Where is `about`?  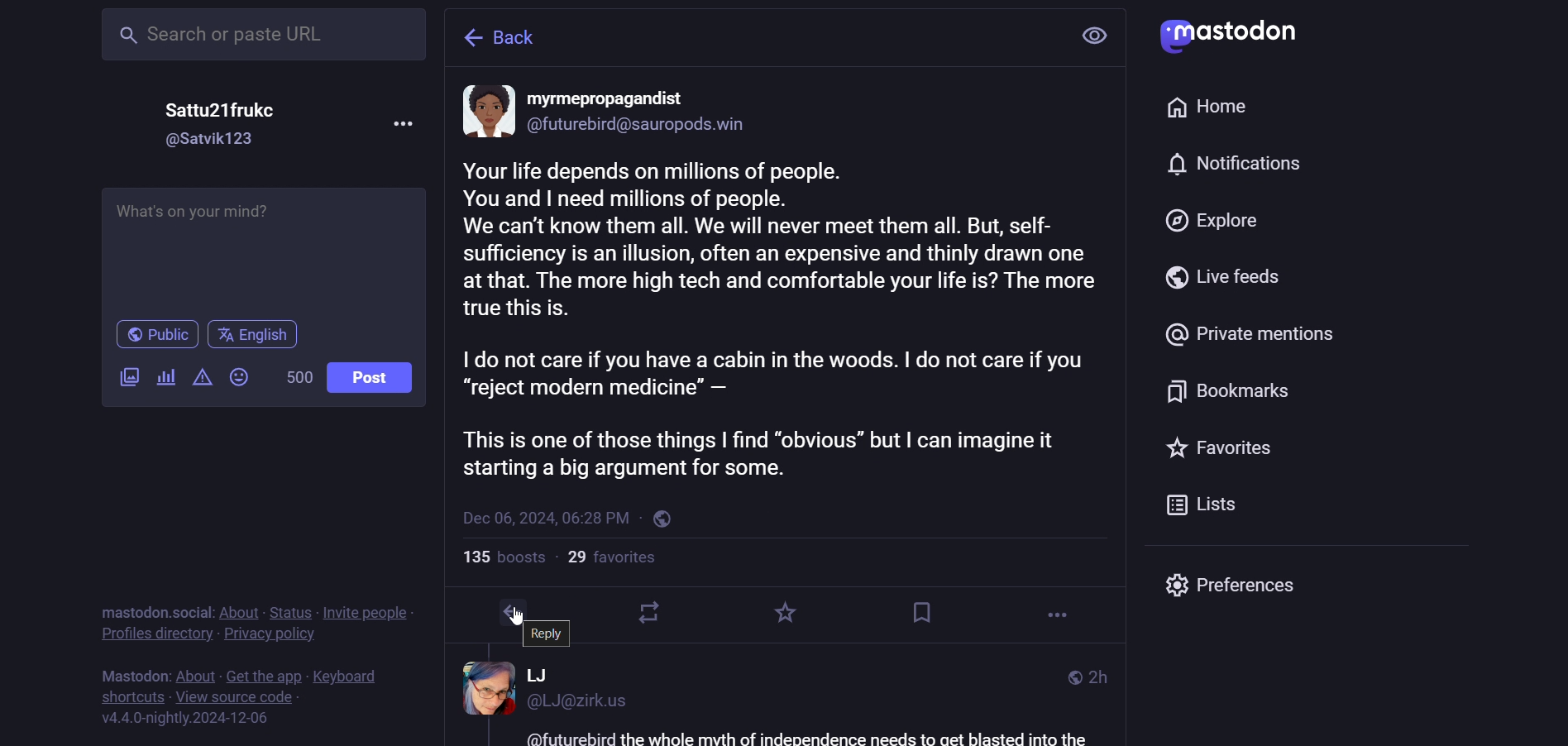 about is located at coordinates (241, 612).